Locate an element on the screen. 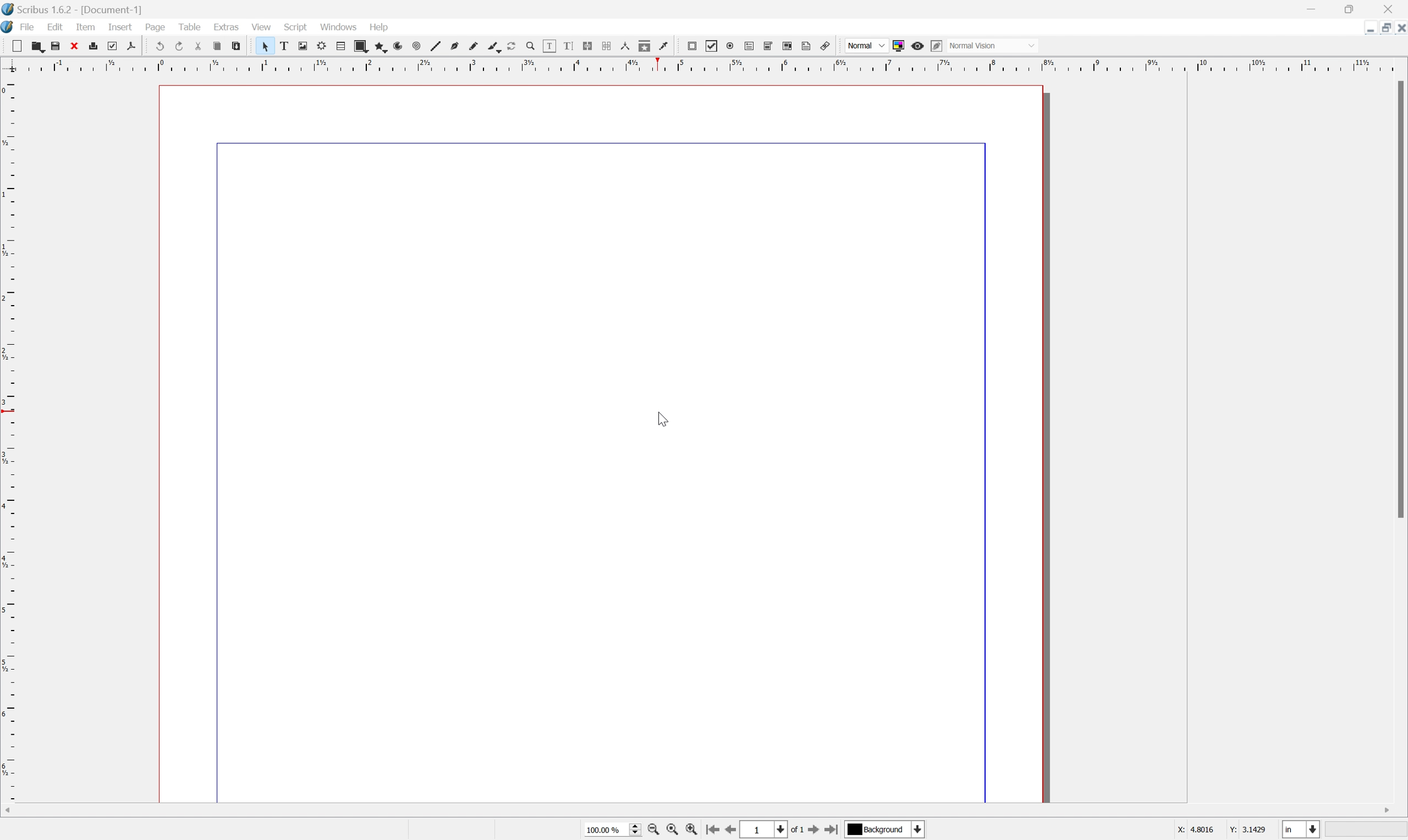  zoom in or zoom out is located at coordinates (530, 45).